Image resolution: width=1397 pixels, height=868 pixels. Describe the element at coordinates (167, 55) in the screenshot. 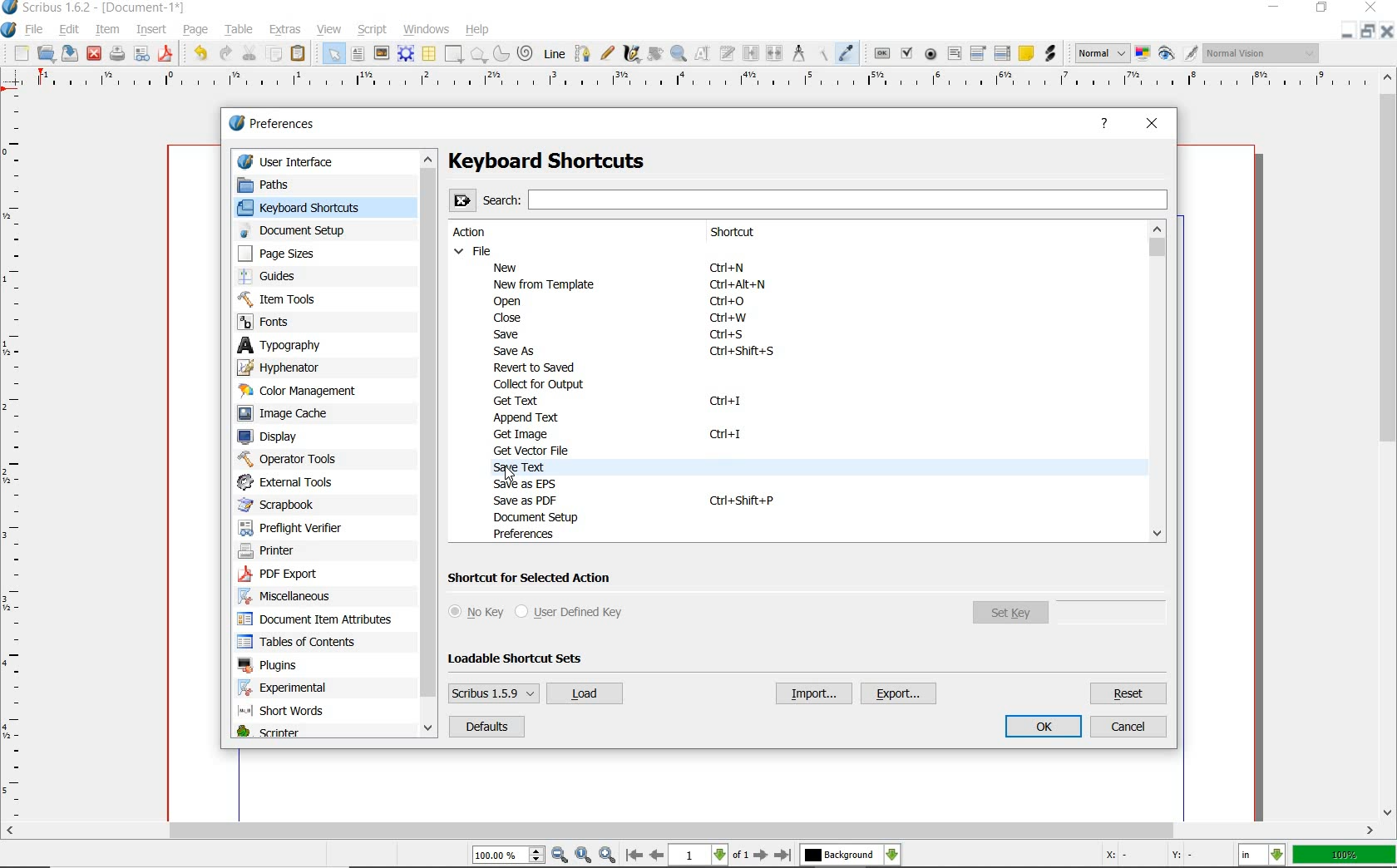

I see `save as pdf` at that location.